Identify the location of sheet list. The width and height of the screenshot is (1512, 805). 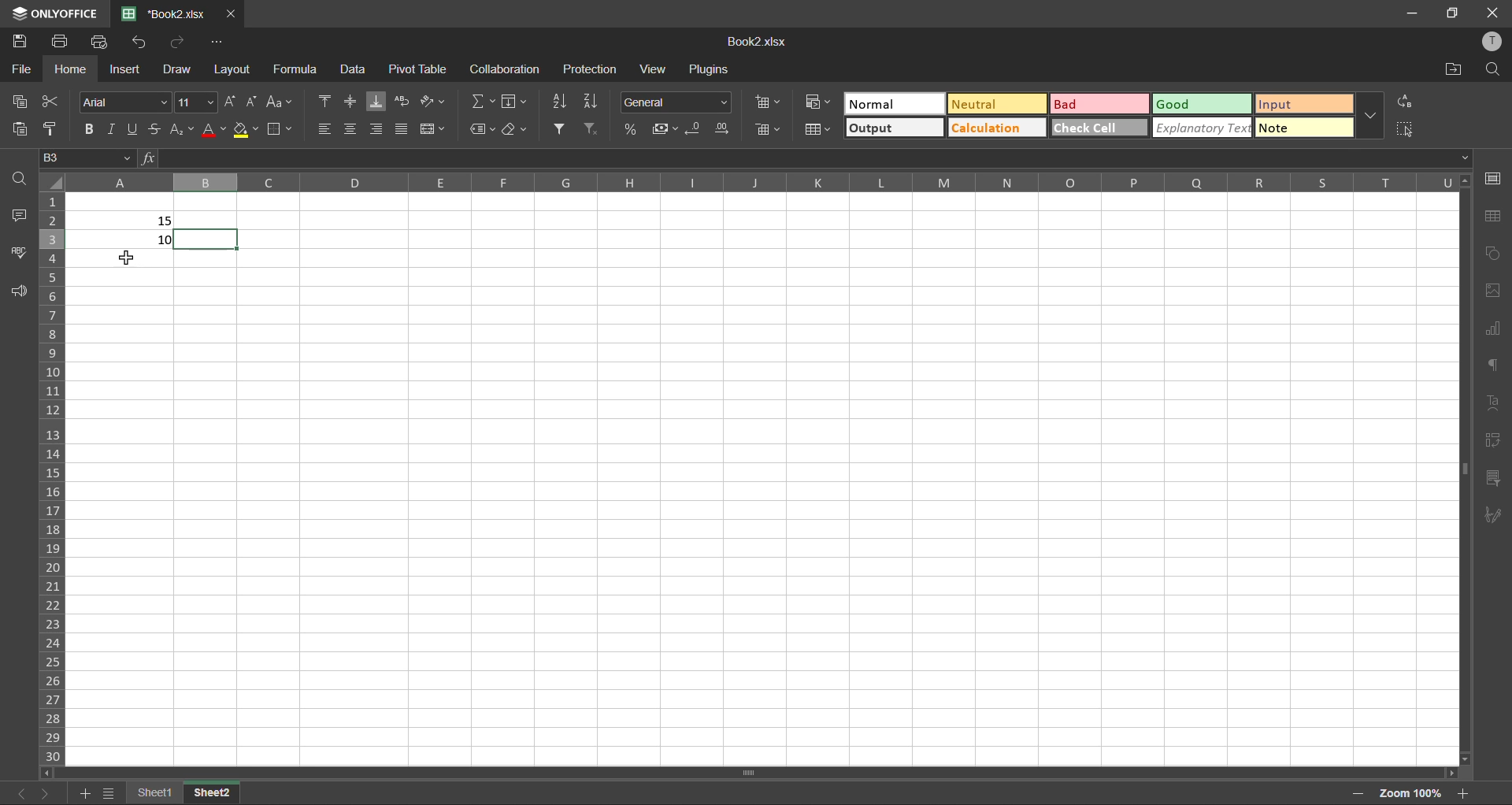
(108, 794).